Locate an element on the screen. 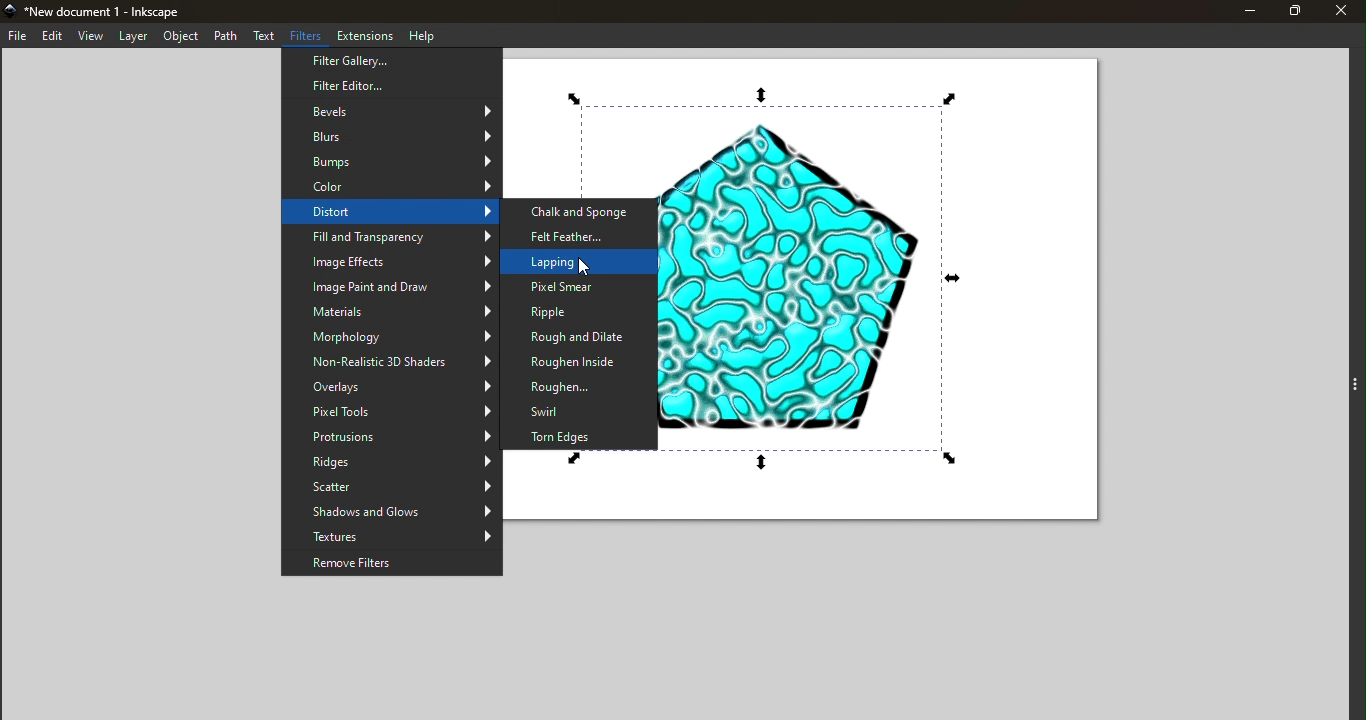 This screenshot has height=720, width=1366. Lapping is located at coordinates (580, 260).